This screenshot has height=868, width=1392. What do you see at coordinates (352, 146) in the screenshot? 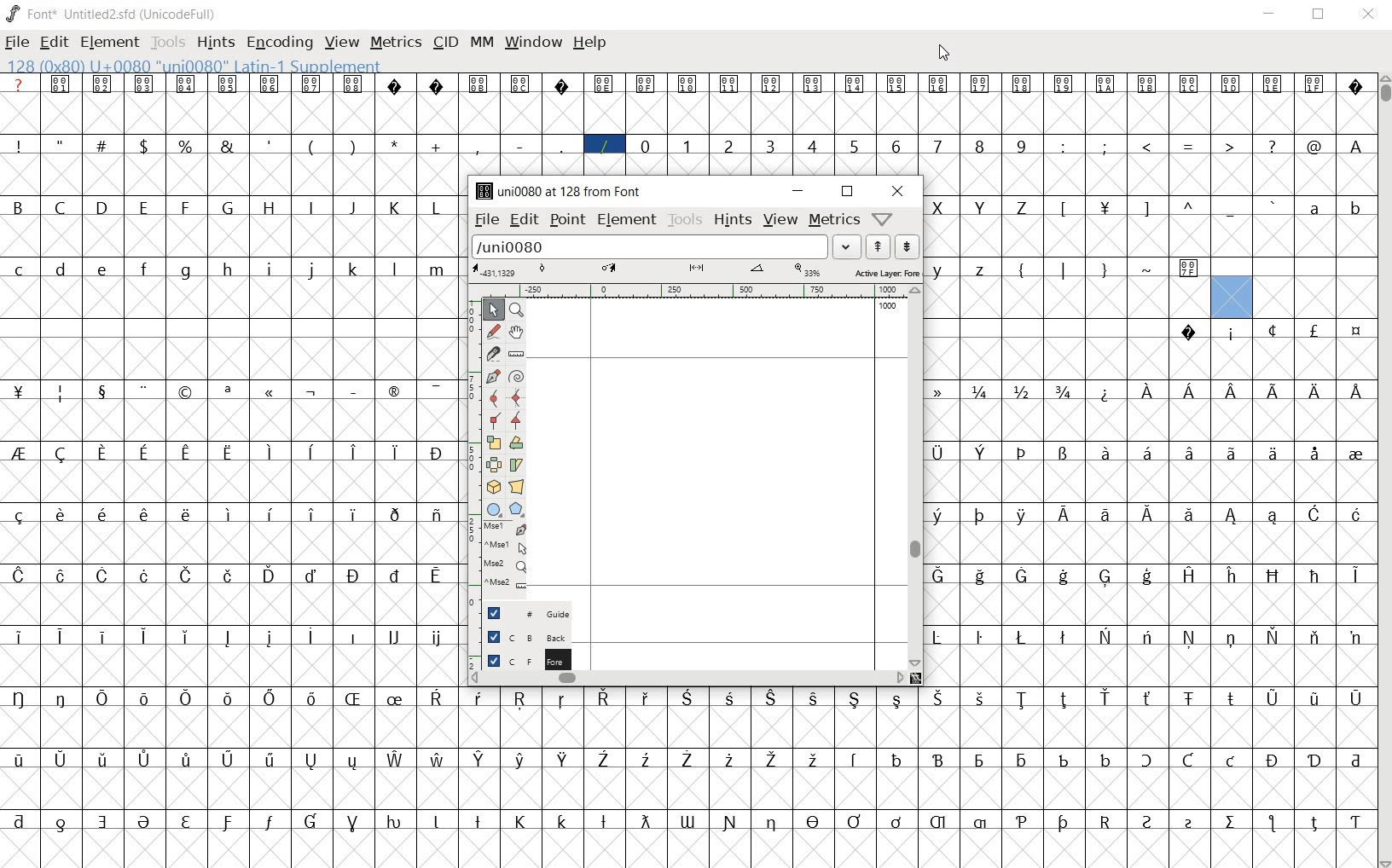
I see `glyph` at bounding box center [352, 146].